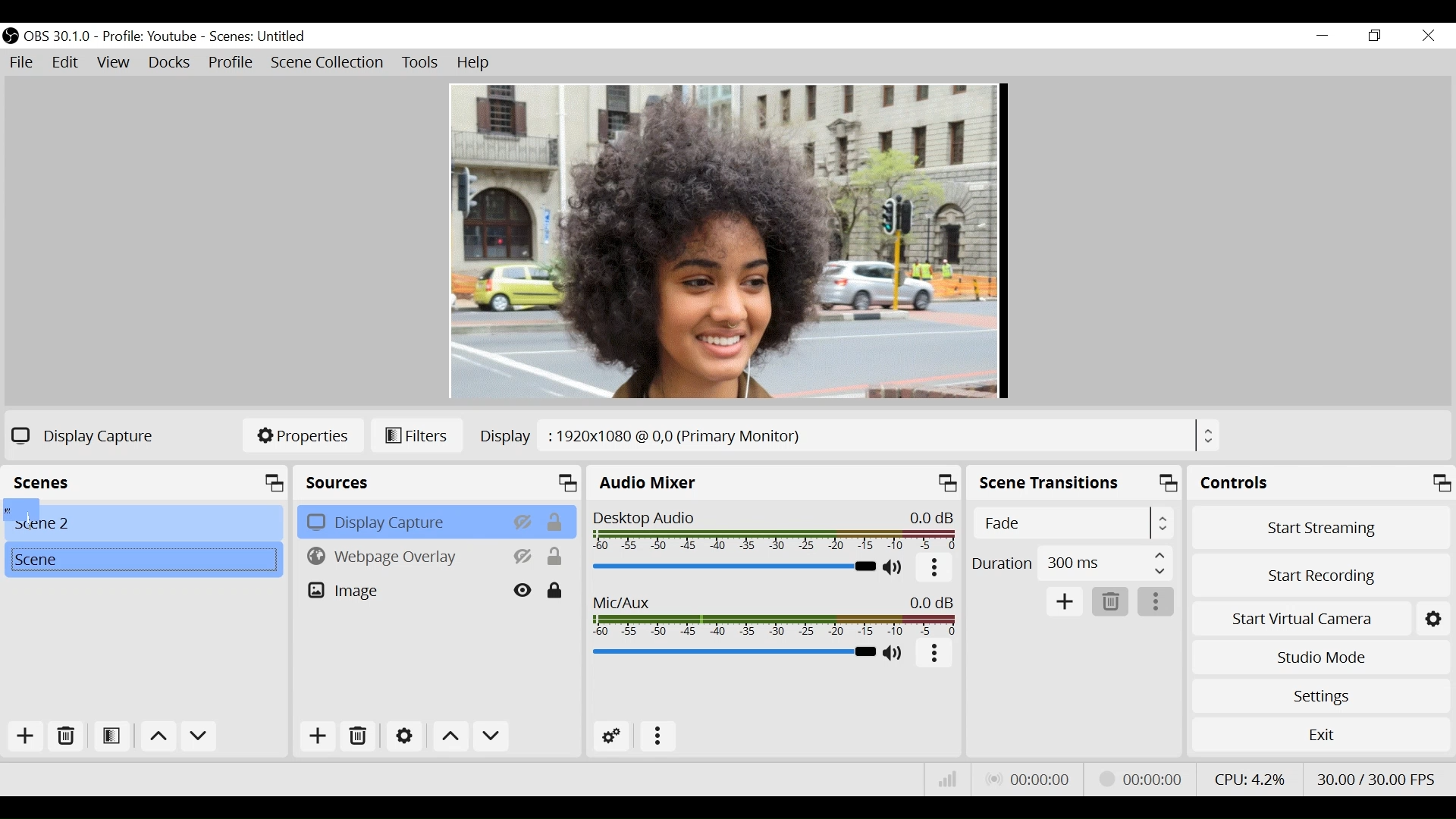  What do you see at coordinates (1073, 563) in the screenshot?
I see `Duration` at bounding box center [1073, 563].